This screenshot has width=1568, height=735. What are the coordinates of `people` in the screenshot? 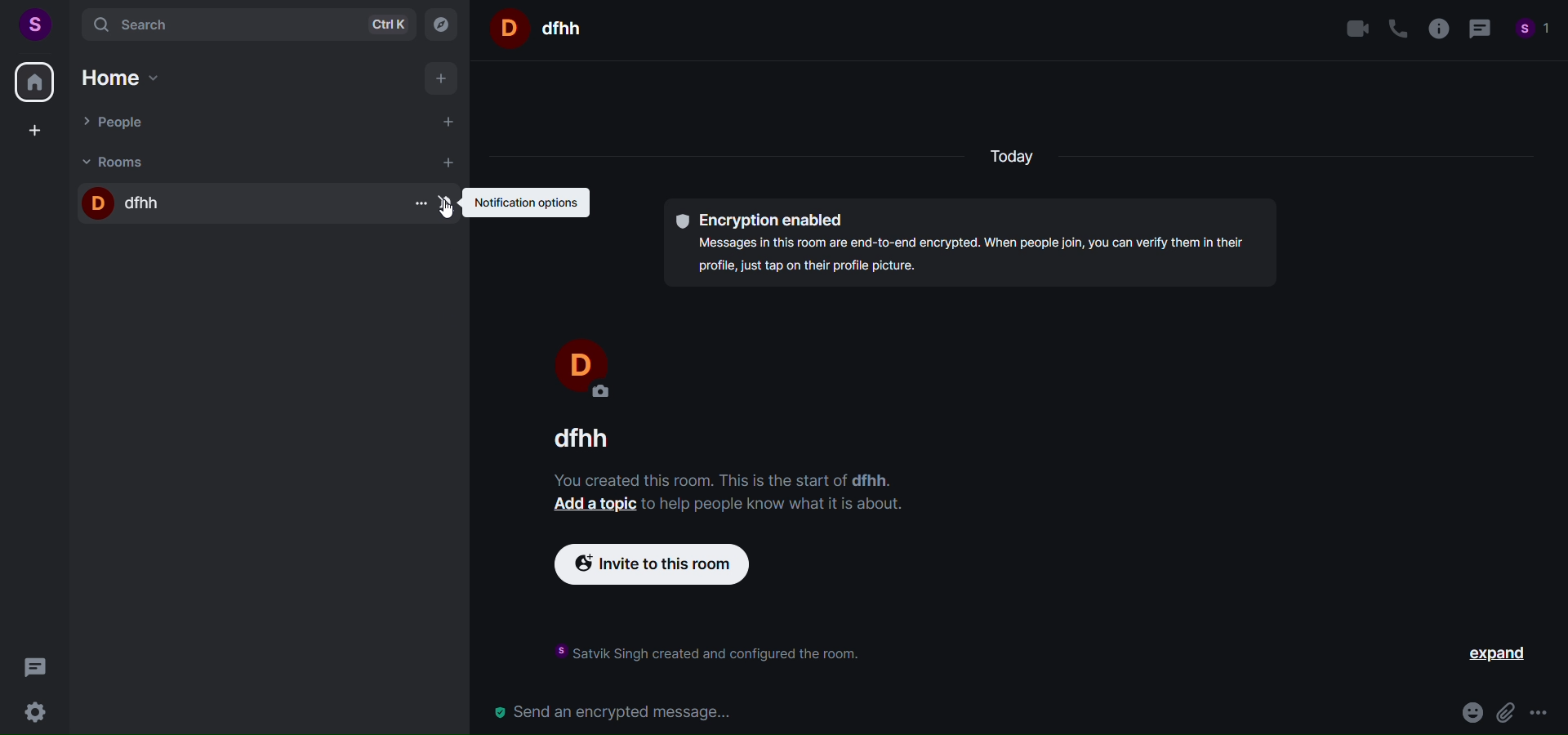 It's located at (240, 123).